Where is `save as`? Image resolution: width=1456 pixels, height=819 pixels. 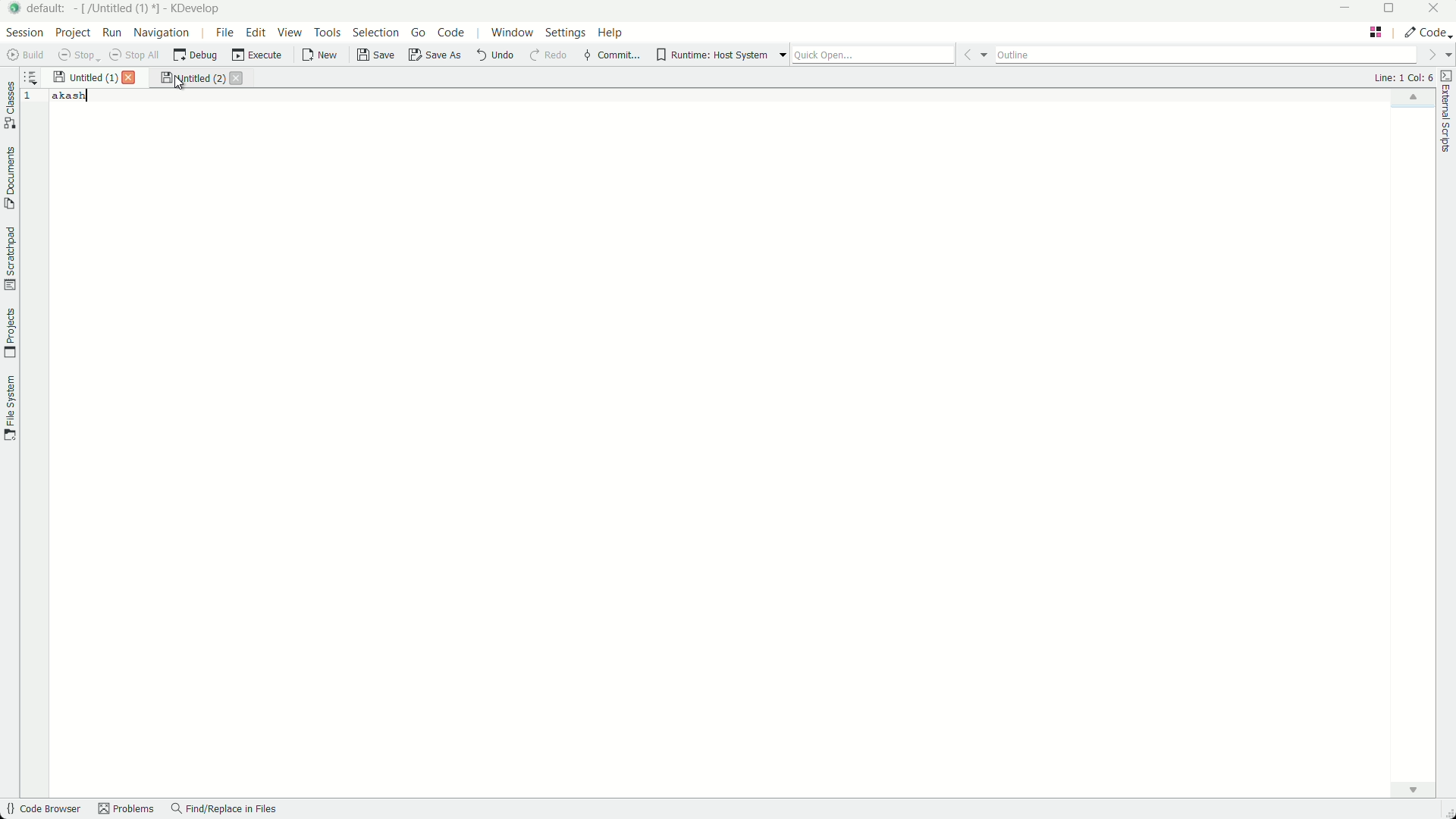
save as is located at coordinates (434, 56).